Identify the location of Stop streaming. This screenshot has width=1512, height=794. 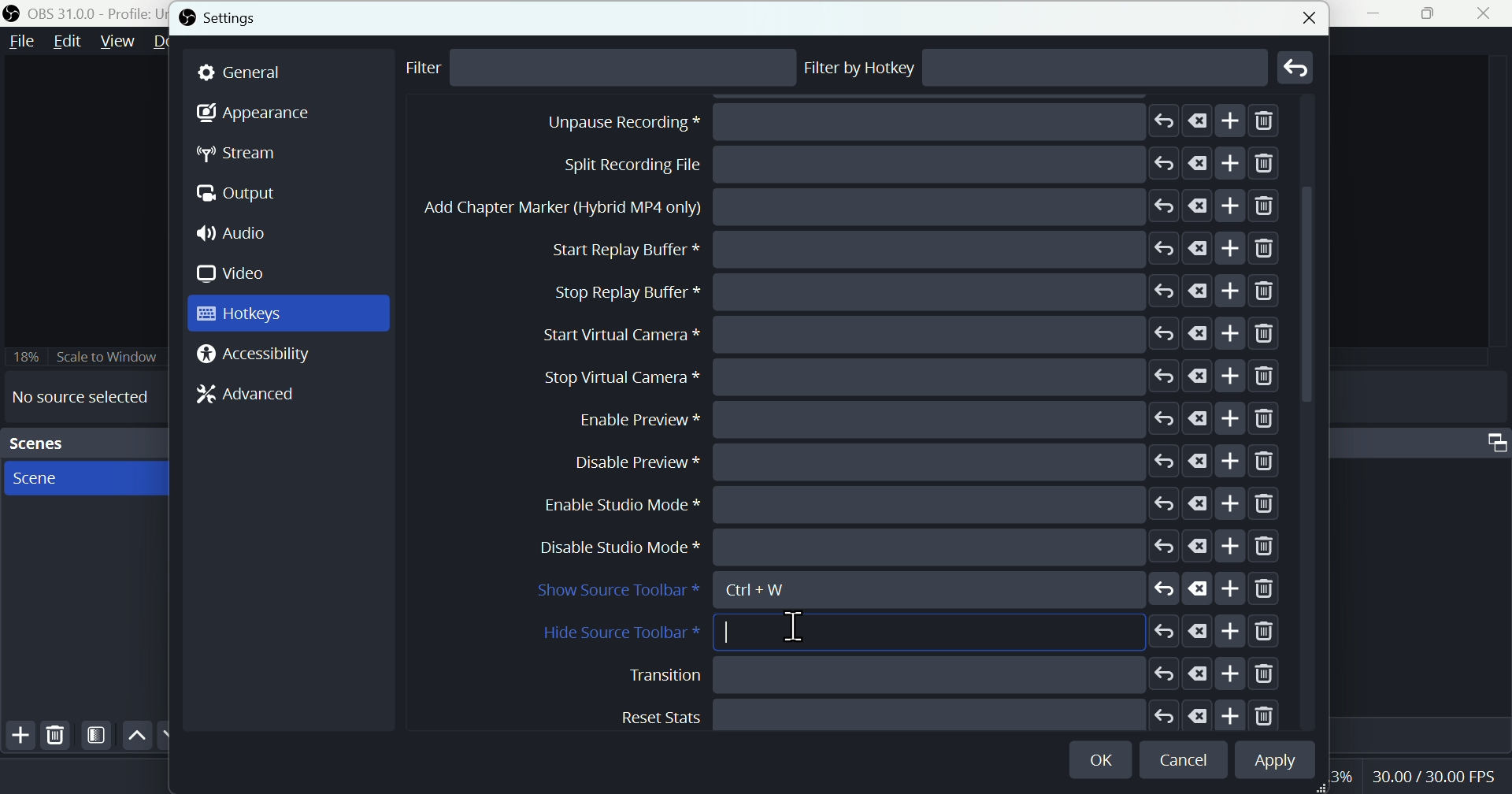
(873, 123).